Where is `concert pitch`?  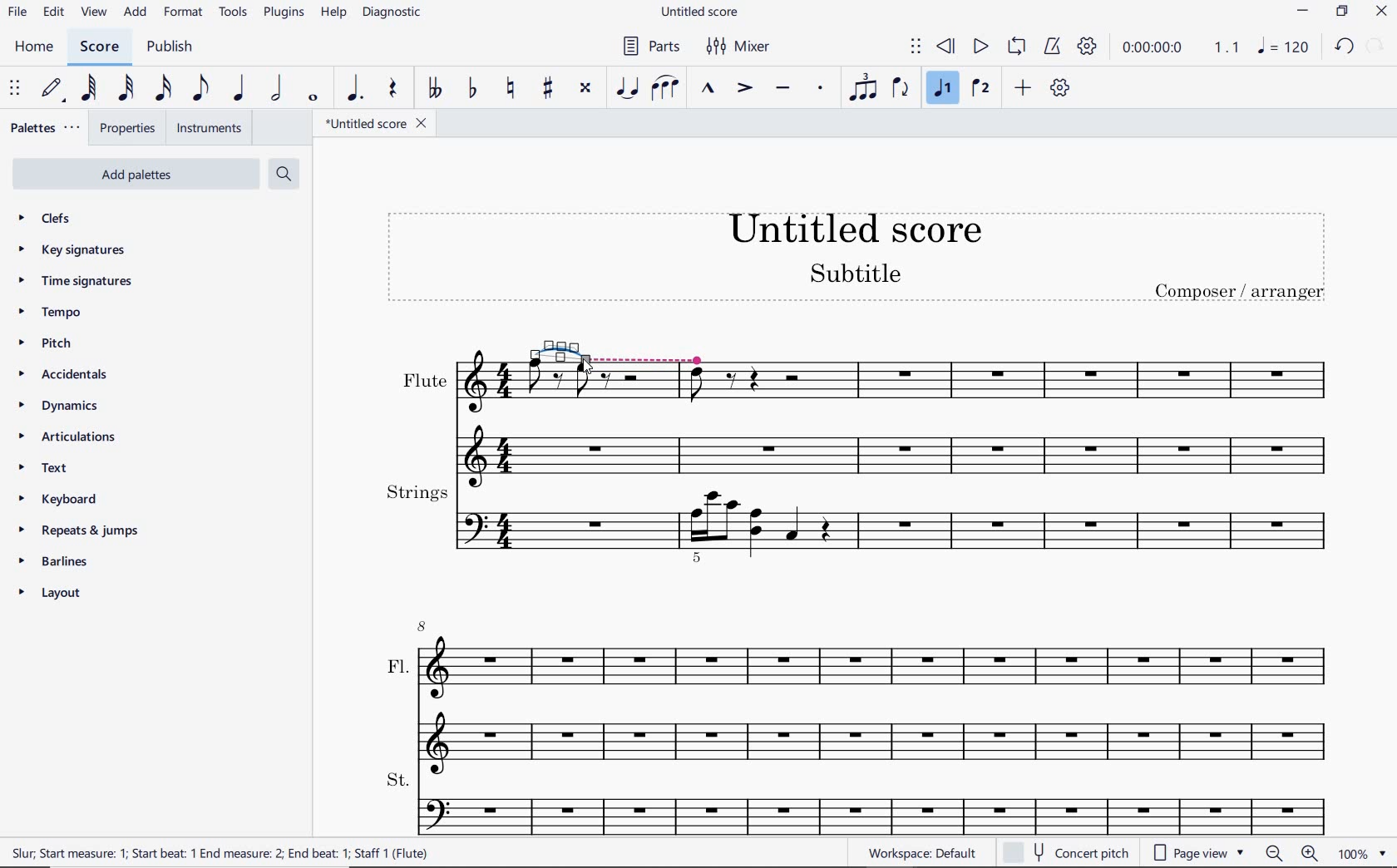
concert pitch is located at coordinates (1067, 852).